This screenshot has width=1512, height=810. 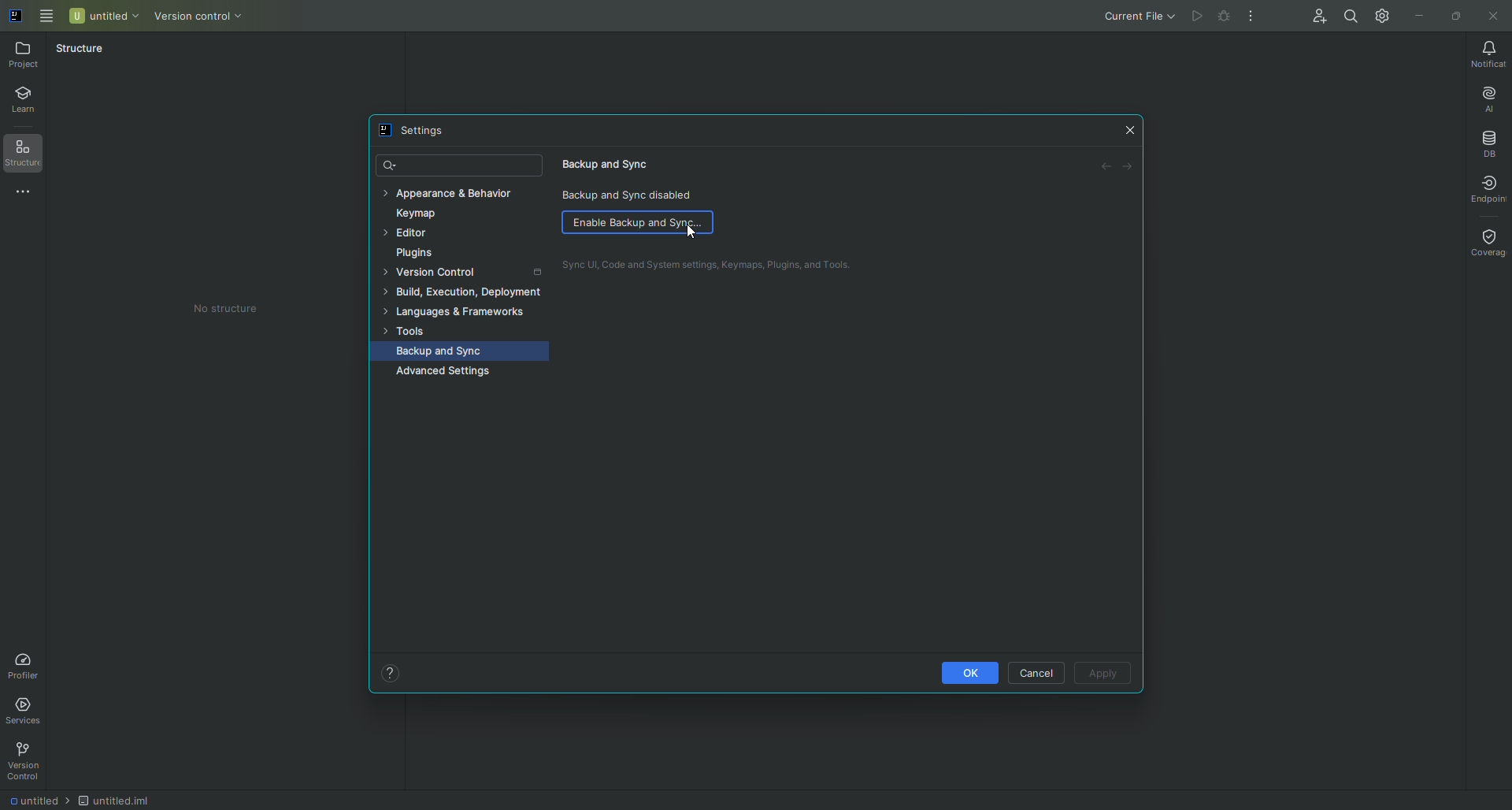 I want to click on Main Menu, so click(x=47, y=14).